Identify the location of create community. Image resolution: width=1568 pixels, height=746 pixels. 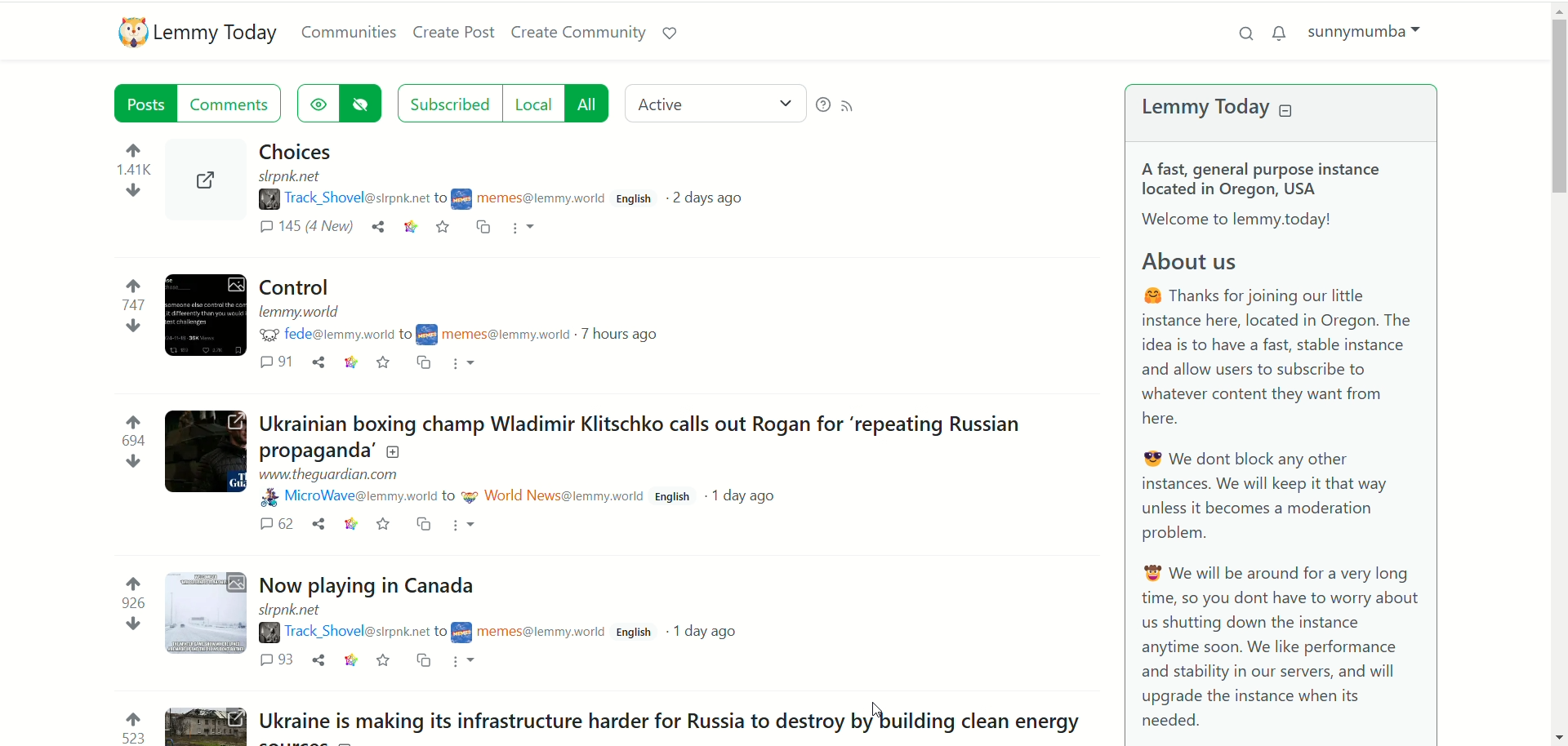
(576, 30).